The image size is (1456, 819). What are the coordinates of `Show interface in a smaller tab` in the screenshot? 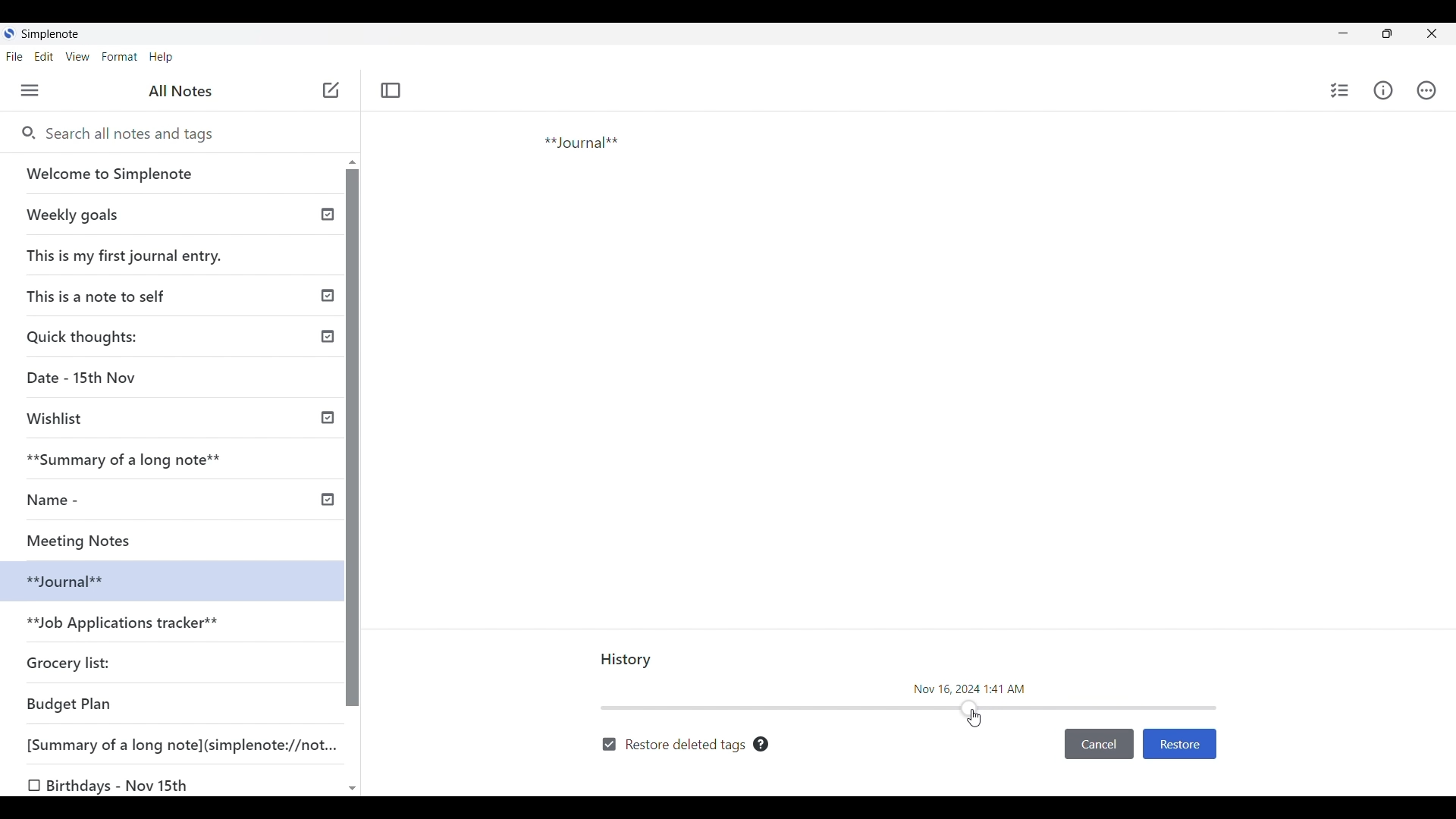 It's located at (1387, 33).